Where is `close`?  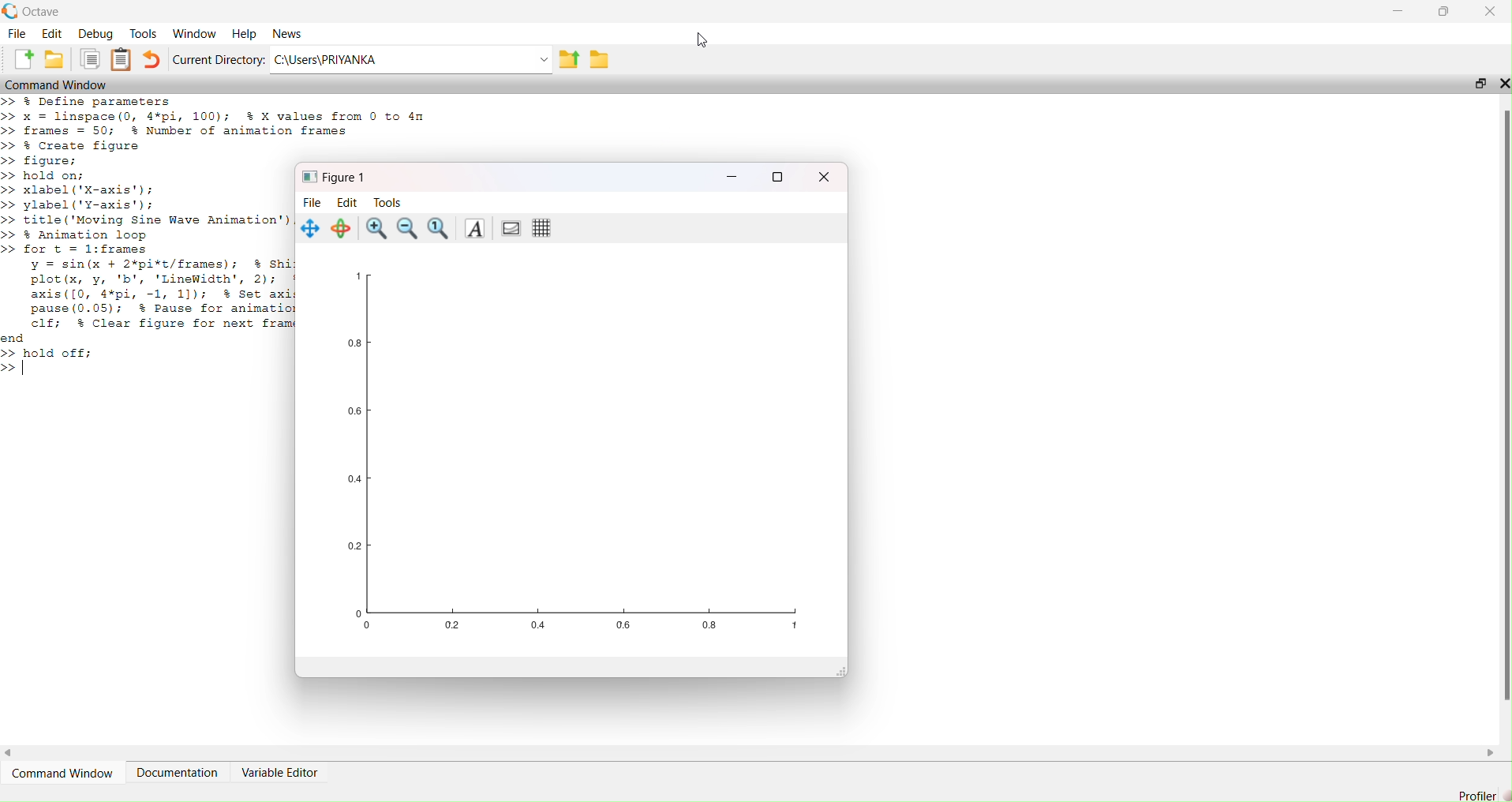 close is located at coordinates (829, 180).